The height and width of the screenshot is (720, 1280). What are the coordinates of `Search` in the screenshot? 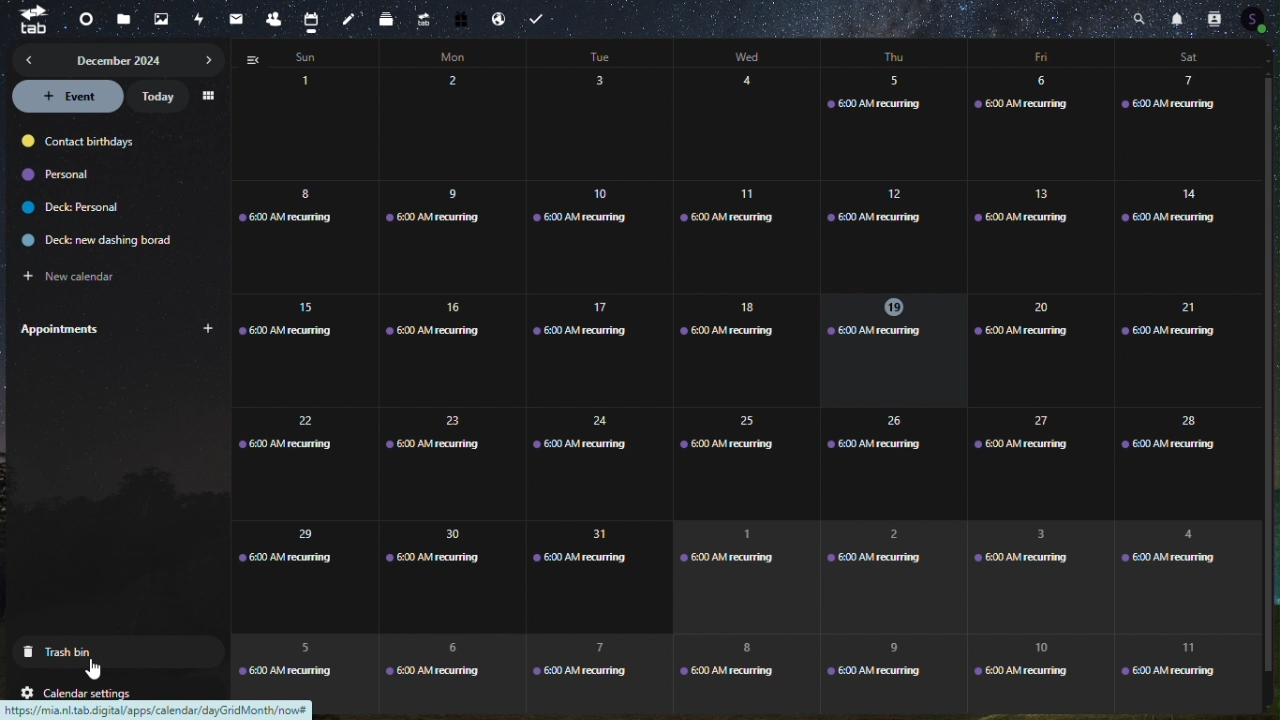 It's located at (1139, 17).